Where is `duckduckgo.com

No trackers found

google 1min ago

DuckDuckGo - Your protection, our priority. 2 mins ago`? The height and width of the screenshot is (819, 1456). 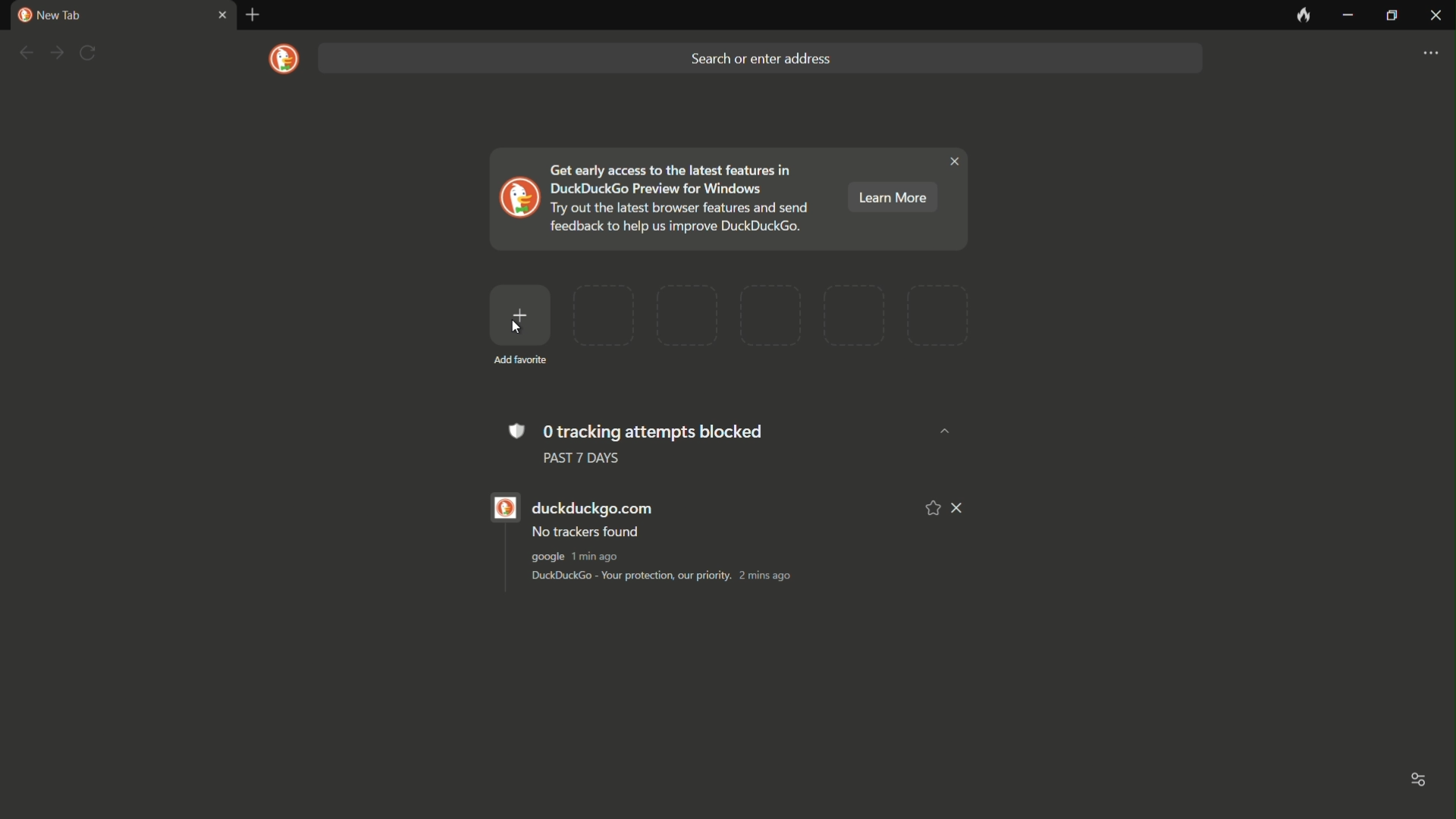 duckduckgo.com

No trackers found

google 1min ago

DuckDuckGo - Your protection, our priority. 2 mins ago is located at coordinates (703, 542).